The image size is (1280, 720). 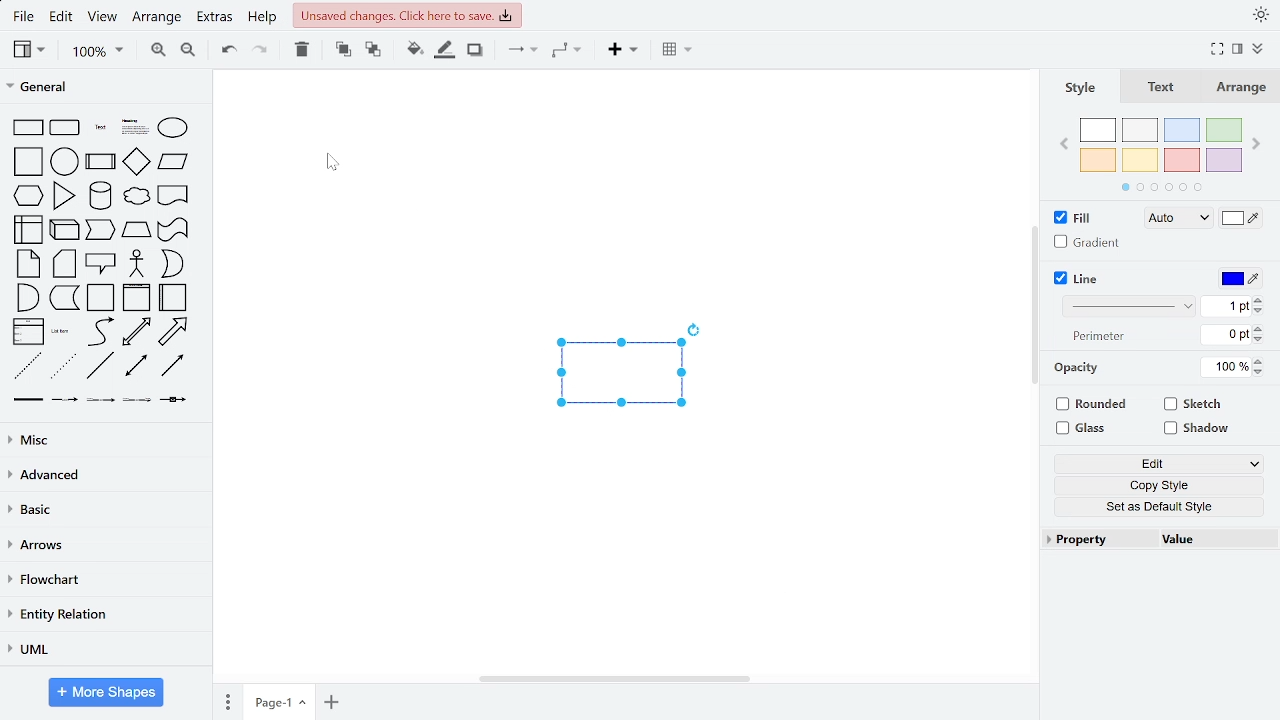 What do you see at coordinates (1160, 155) in the screenshot?
I see `colors` at bounding box center [1160, 155].